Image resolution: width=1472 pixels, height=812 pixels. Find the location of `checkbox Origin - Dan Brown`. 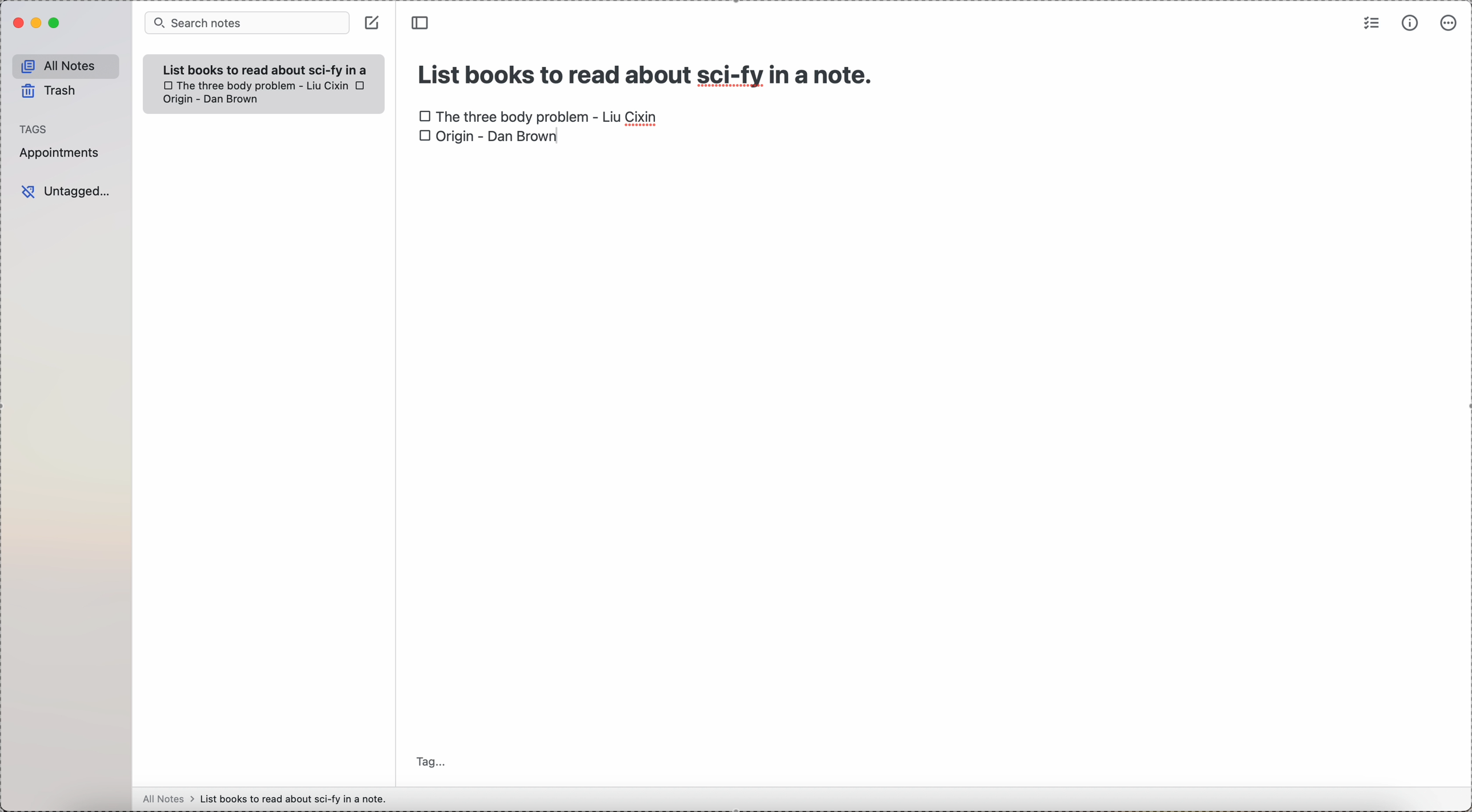

checkbox Origin - Dan Brown is located at coordinates (487, 139).